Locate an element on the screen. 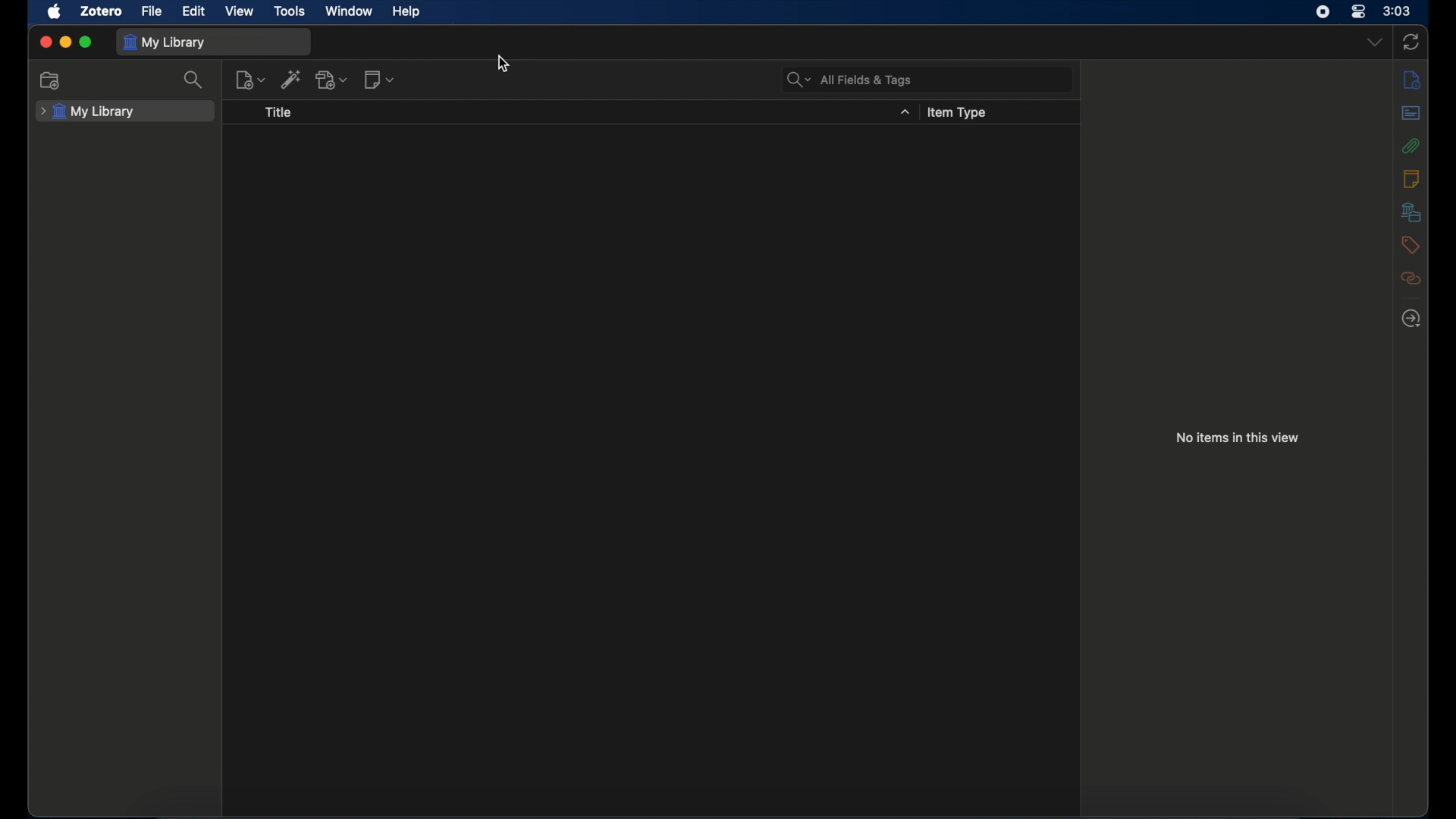 The width and height of the screenshot is (1456, 819). zotero is located at coordinates (101, 11).